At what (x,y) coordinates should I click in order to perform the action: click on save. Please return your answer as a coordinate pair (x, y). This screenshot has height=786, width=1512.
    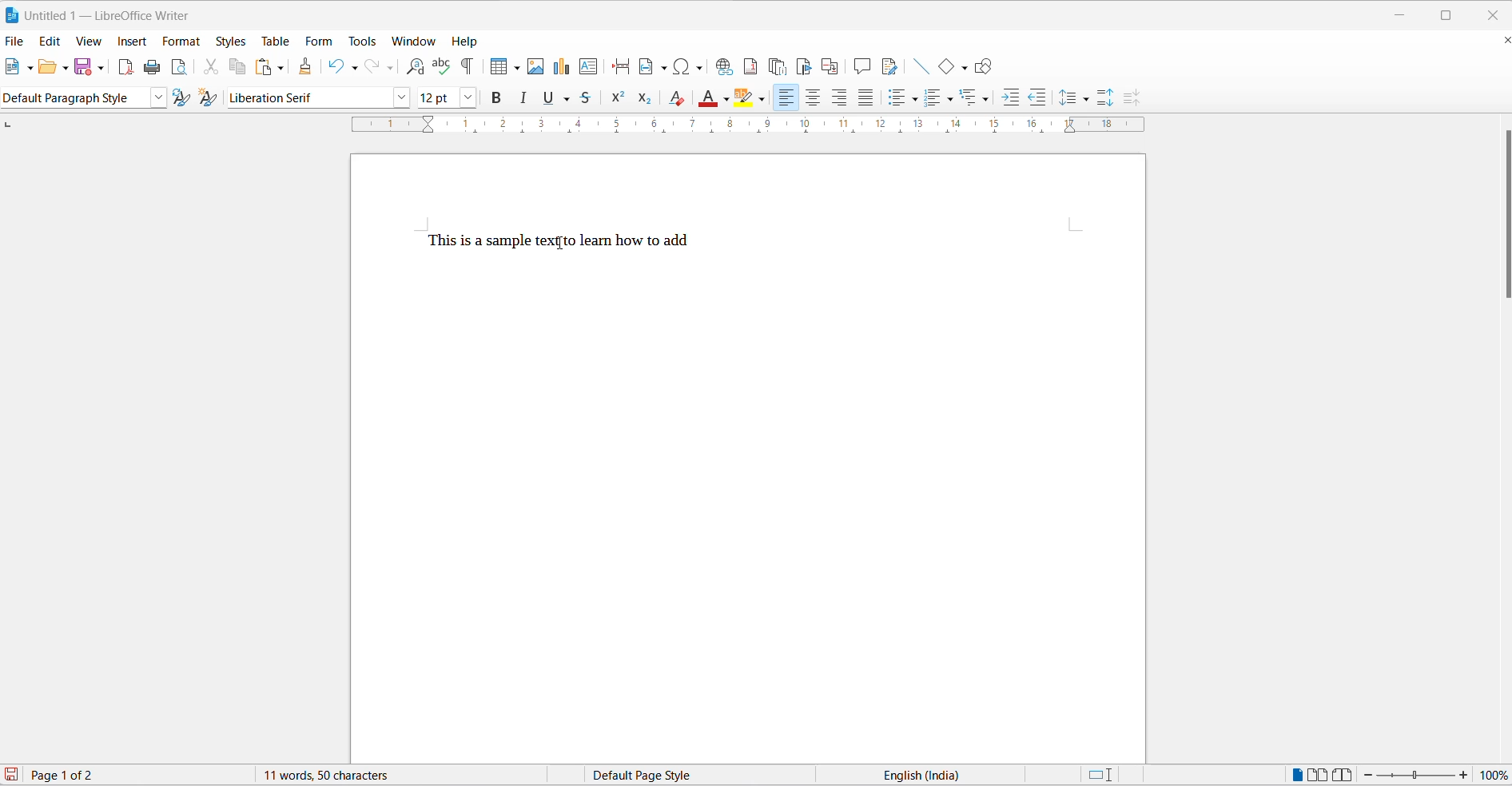
    Looking at the image, I should click on (82, 67).